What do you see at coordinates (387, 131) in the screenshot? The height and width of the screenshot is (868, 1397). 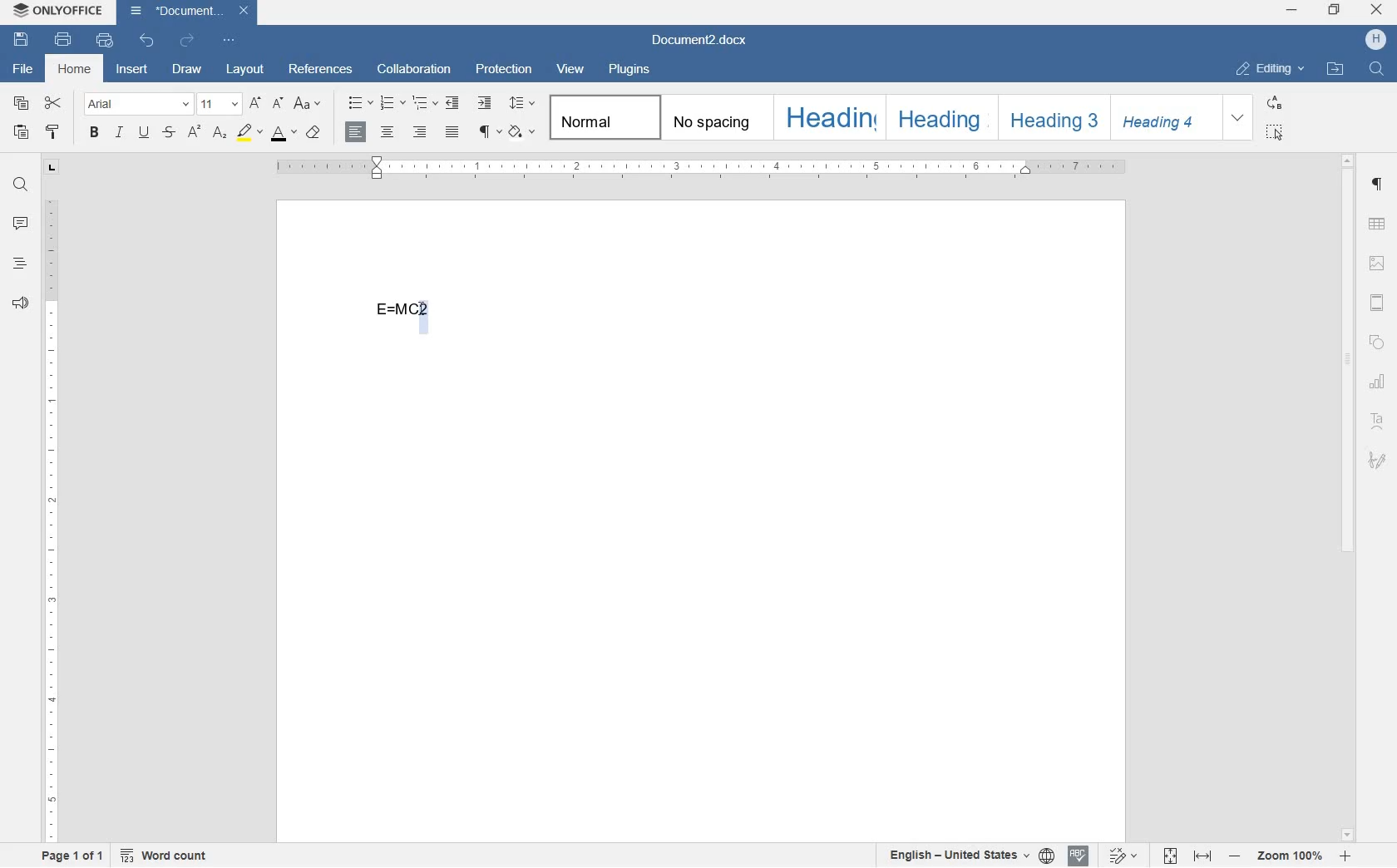 I see `align center` at bounding box center [387, 131].